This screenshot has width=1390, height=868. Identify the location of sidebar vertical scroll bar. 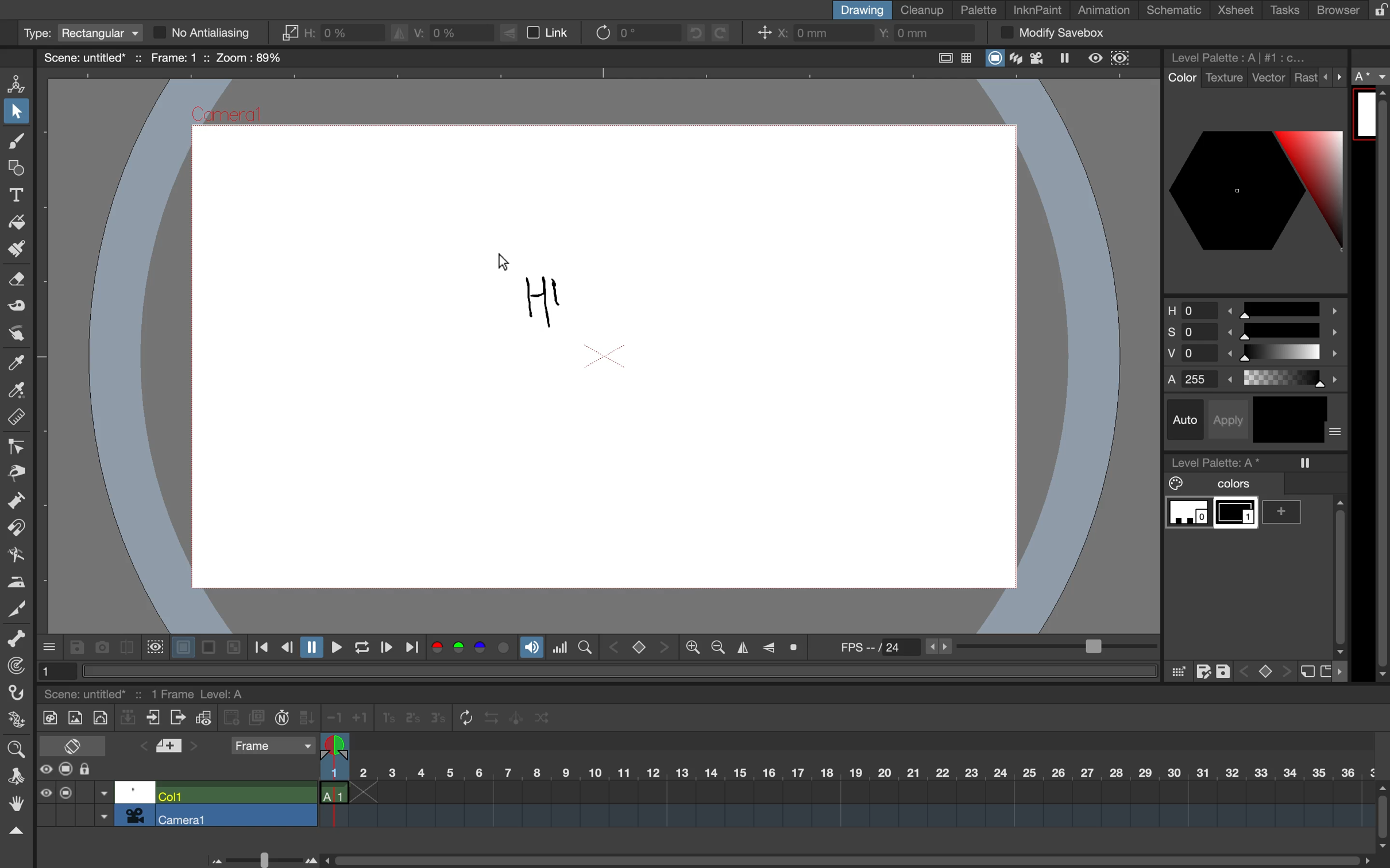
(1380, 385).